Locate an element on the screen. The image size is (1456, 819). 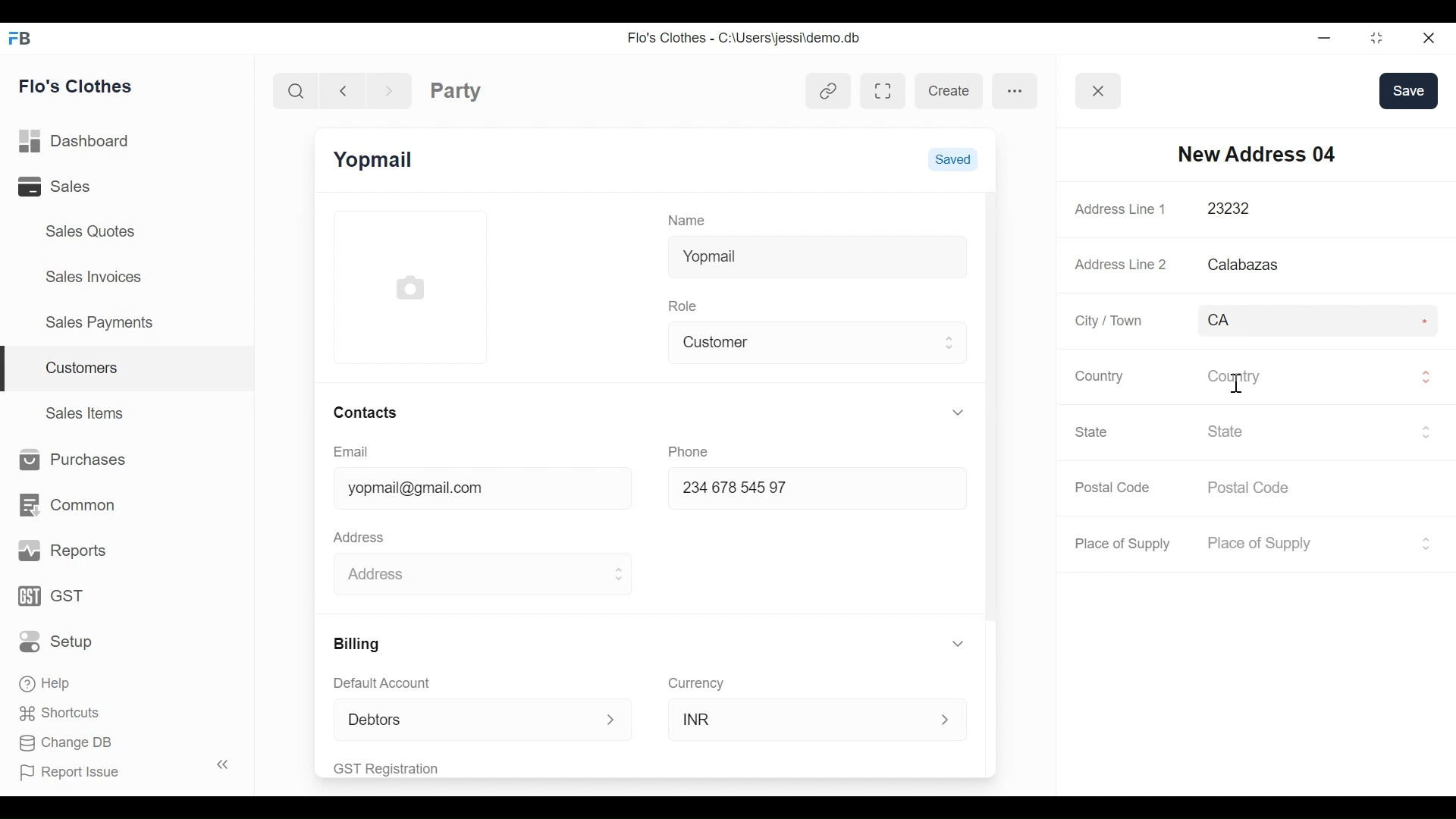
234678 54597 is located at coordinates (802, 490).